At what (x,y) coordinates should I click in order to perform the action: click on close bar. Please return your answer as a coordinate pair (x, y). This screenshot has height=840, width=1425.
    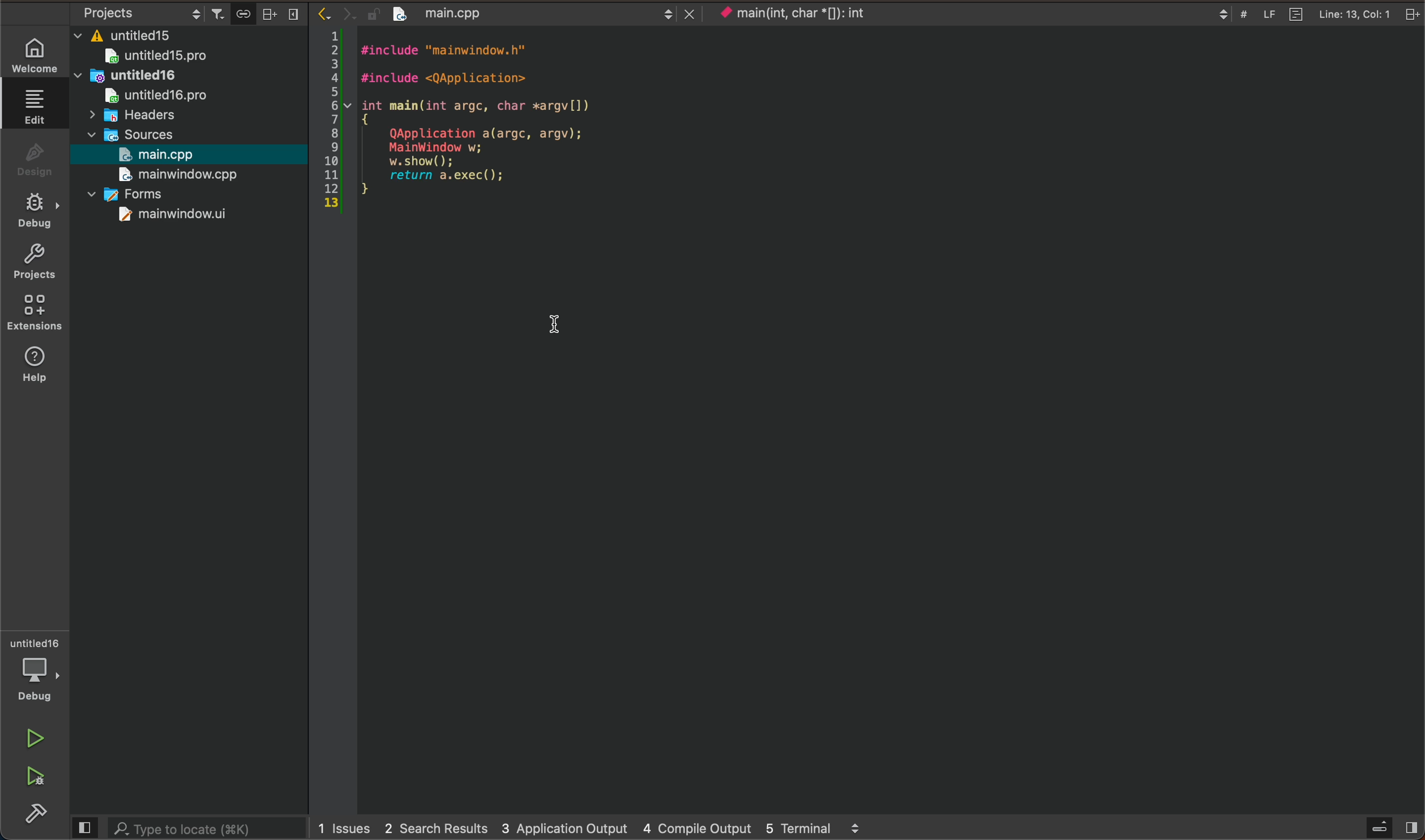
    Looking at the image, I should click on (284, 13).